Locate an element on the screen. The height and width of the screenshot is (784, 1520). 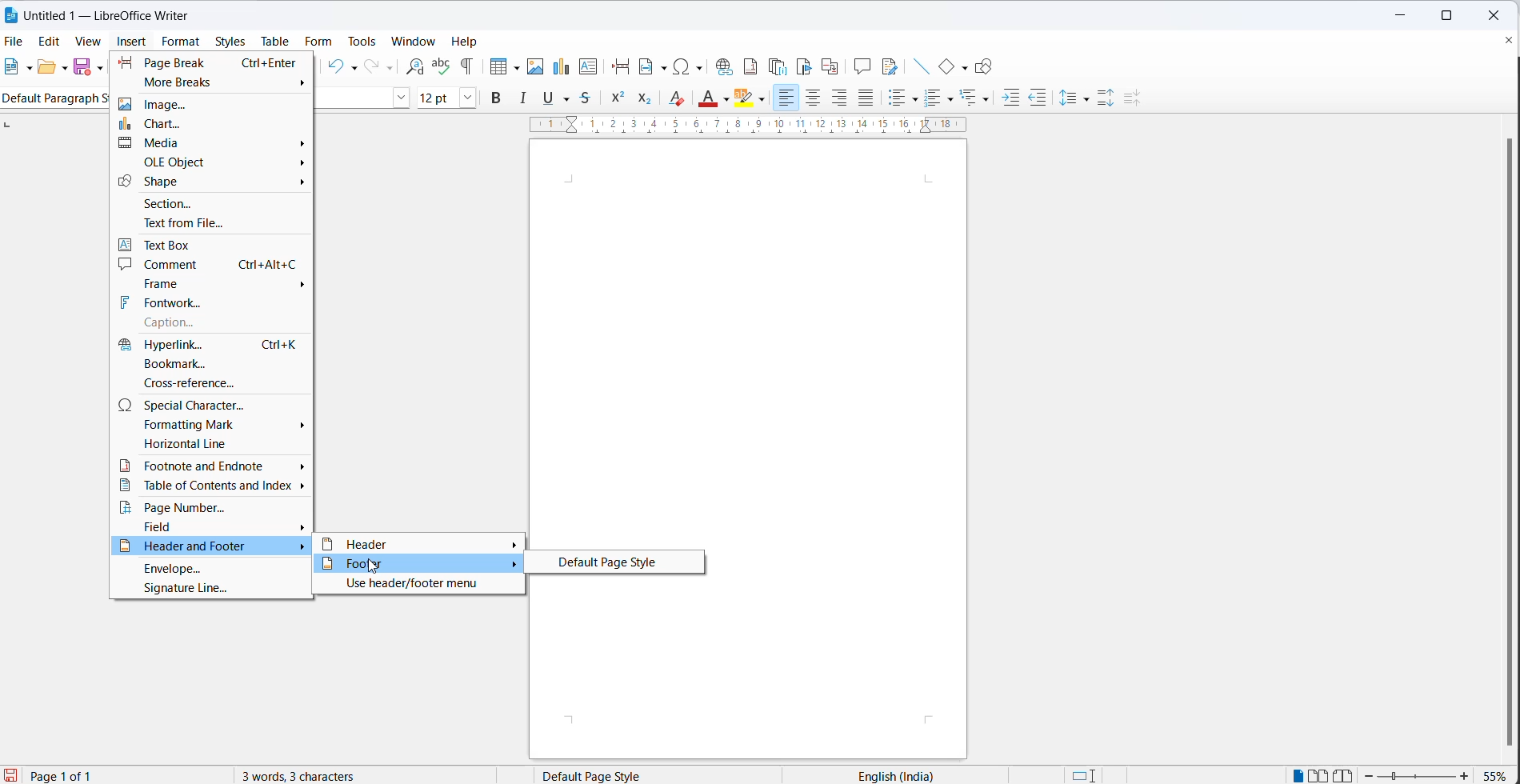
view  is located at coordinates (90, 42).